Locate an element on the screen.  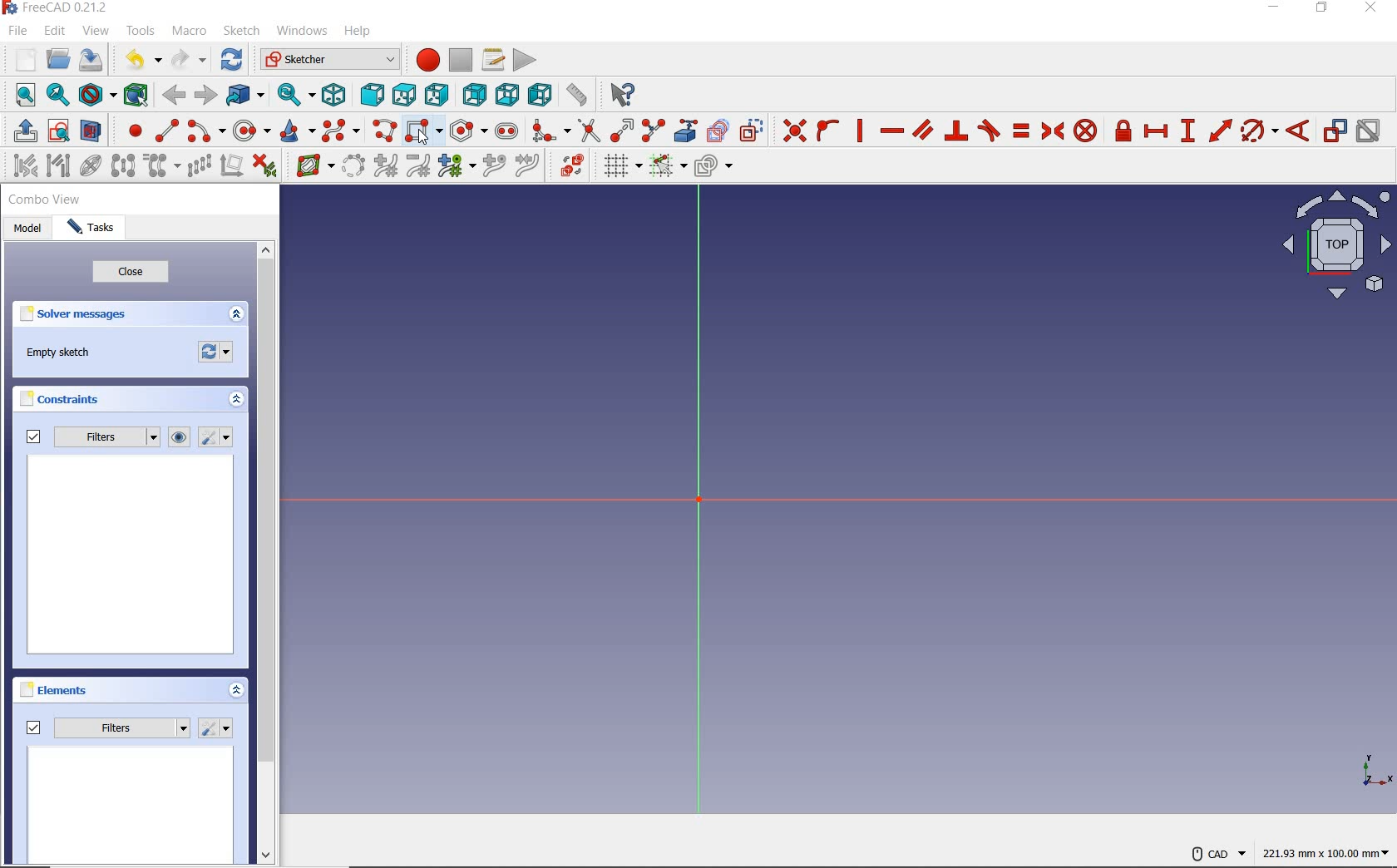
forward is located at coordinates (204, 94).